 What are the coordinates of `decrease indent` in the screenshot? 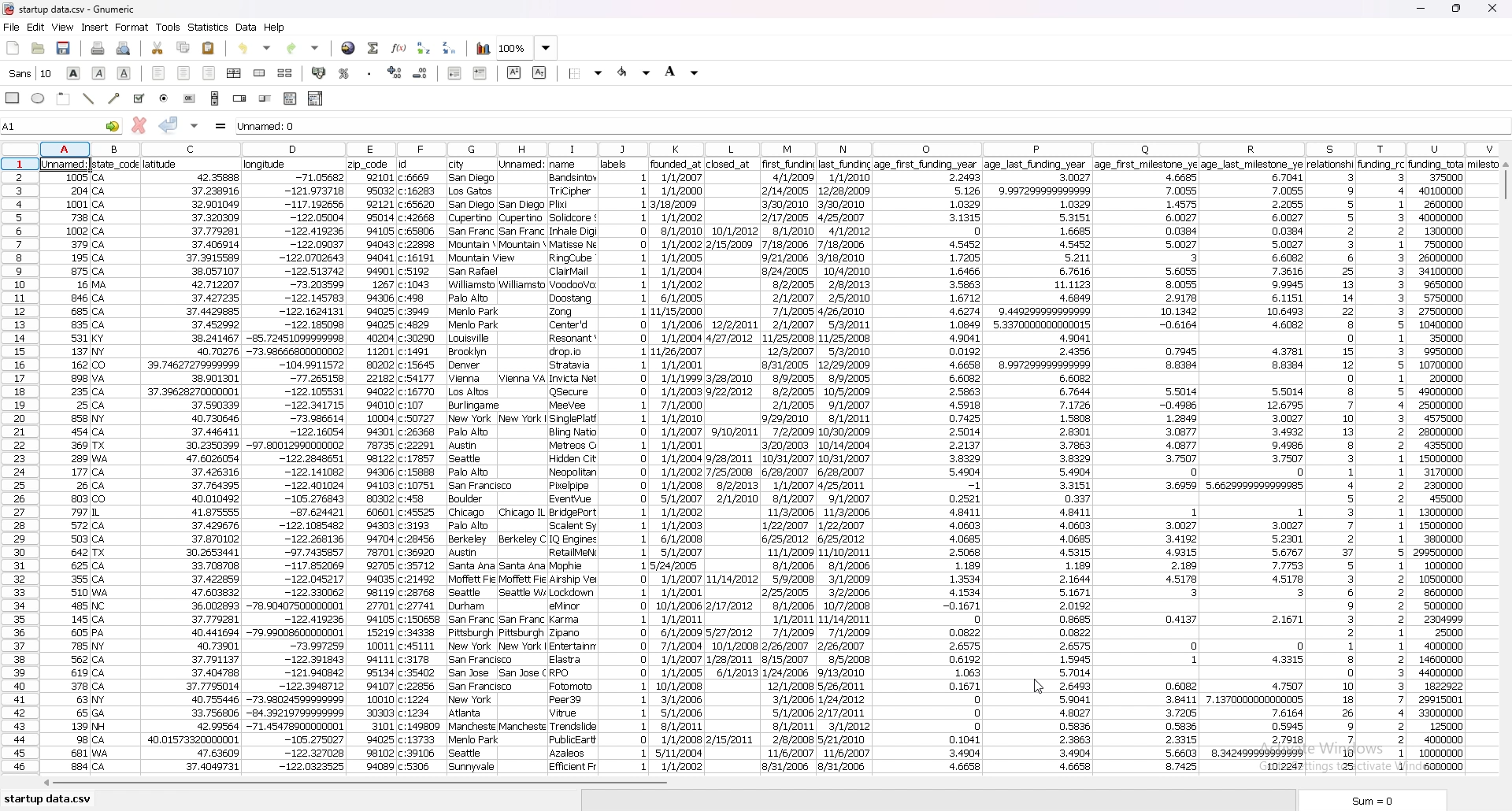 It's located at (457, 72).